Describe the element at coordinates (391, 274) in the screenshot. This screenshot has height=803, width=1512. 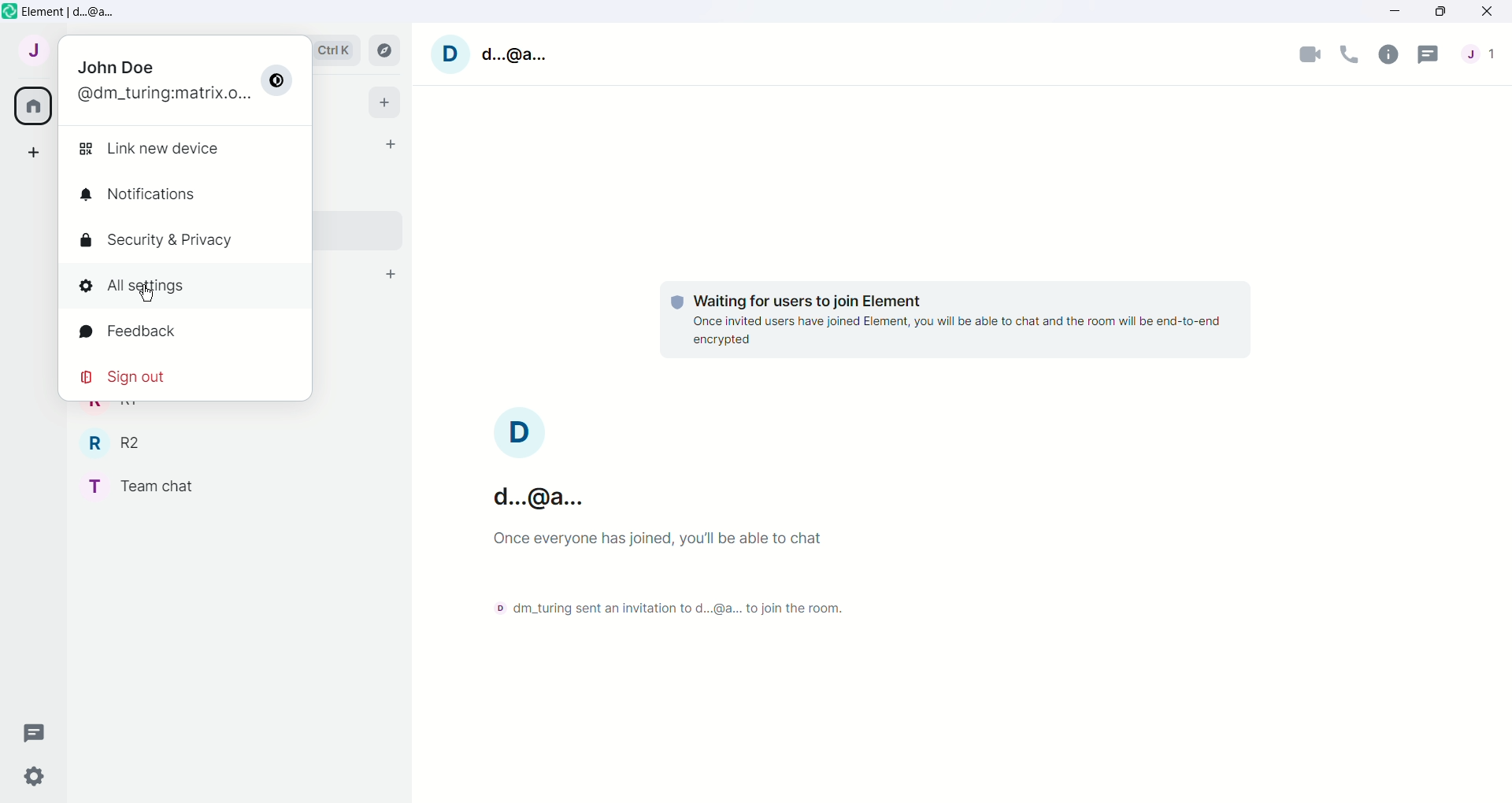
I see `Add room` at that location.